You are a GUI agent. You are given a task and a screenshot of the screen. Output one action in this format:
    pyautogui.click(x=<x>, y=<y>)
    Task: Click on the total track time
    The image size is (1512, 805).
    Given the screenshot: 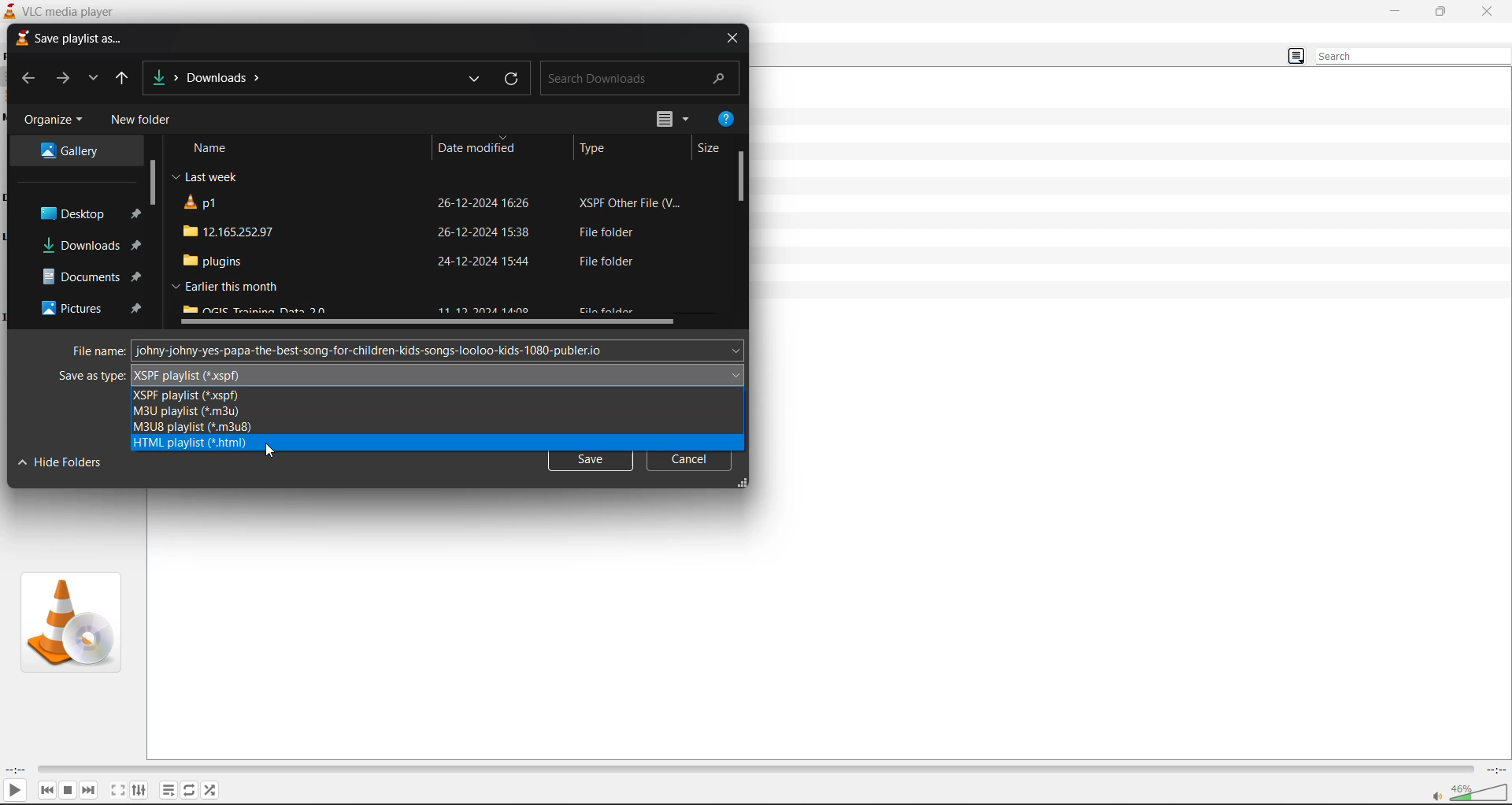 What is the action you would take?
    pyautogui.click(x=1494, y=768)
    